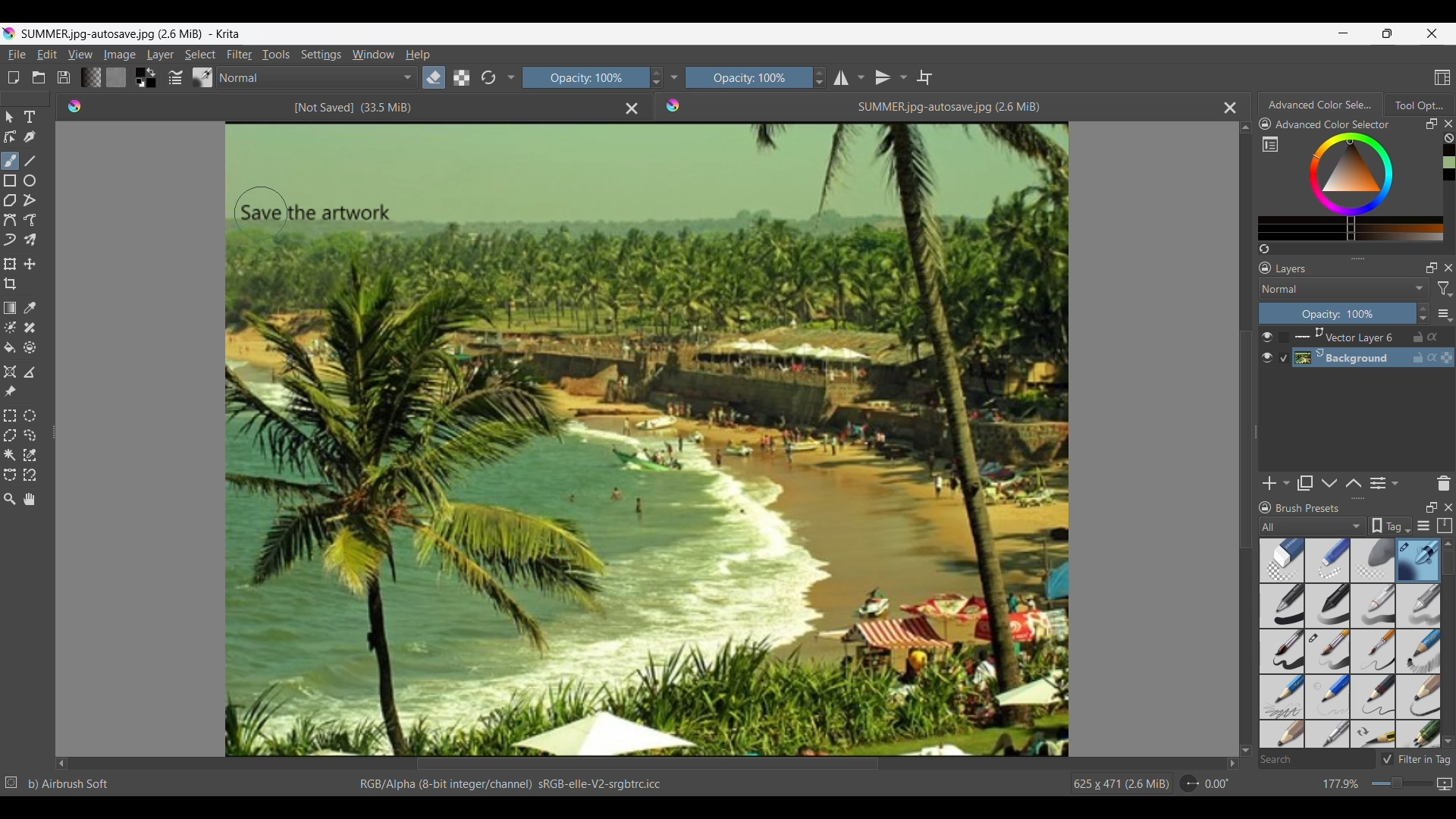 The height and width of the screenshot is (819, 1456). What do you see at coordinates (508, 785) in the screenshot?
I see `RGB/Alpha (8-bit integer/channel) sRGB-elle-V2-srgbtrc.icc` at bounding box center [508, 785].